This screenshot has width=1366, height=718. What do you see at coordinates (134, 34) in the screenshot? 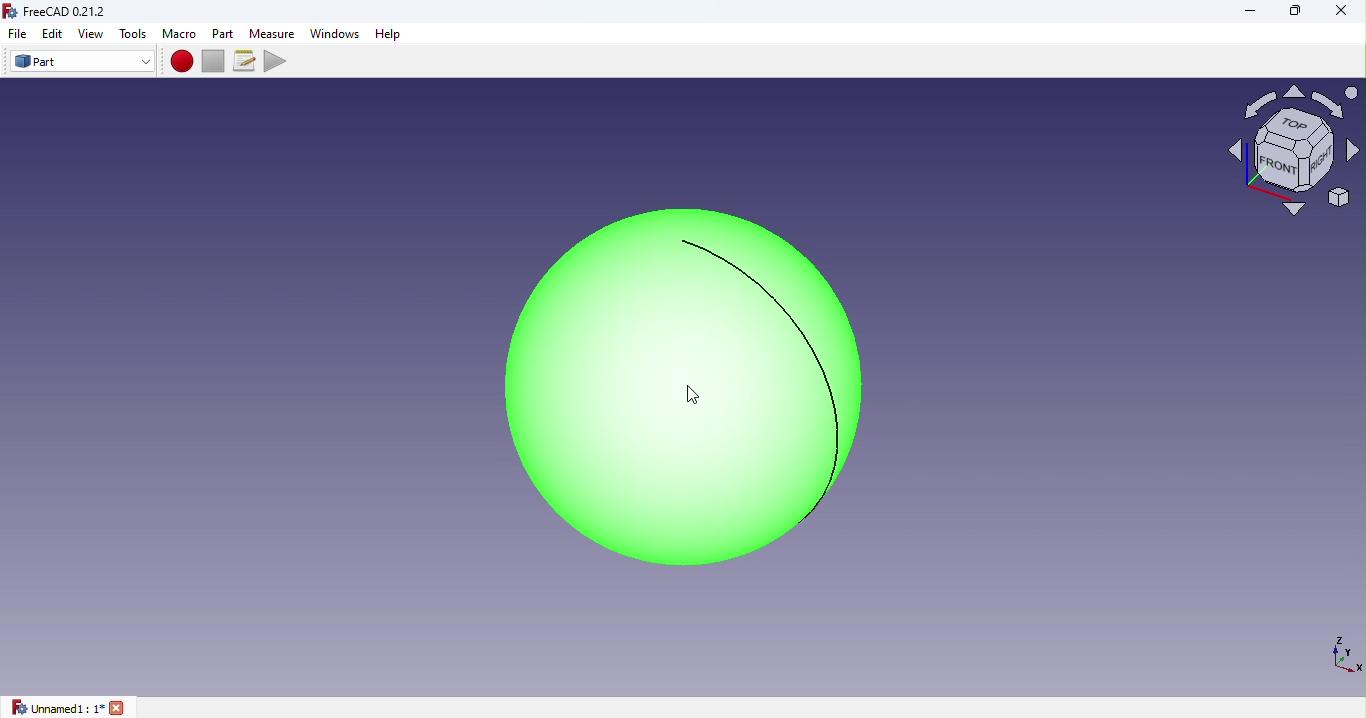
I see `Tools` at bounding box center [134, 34].